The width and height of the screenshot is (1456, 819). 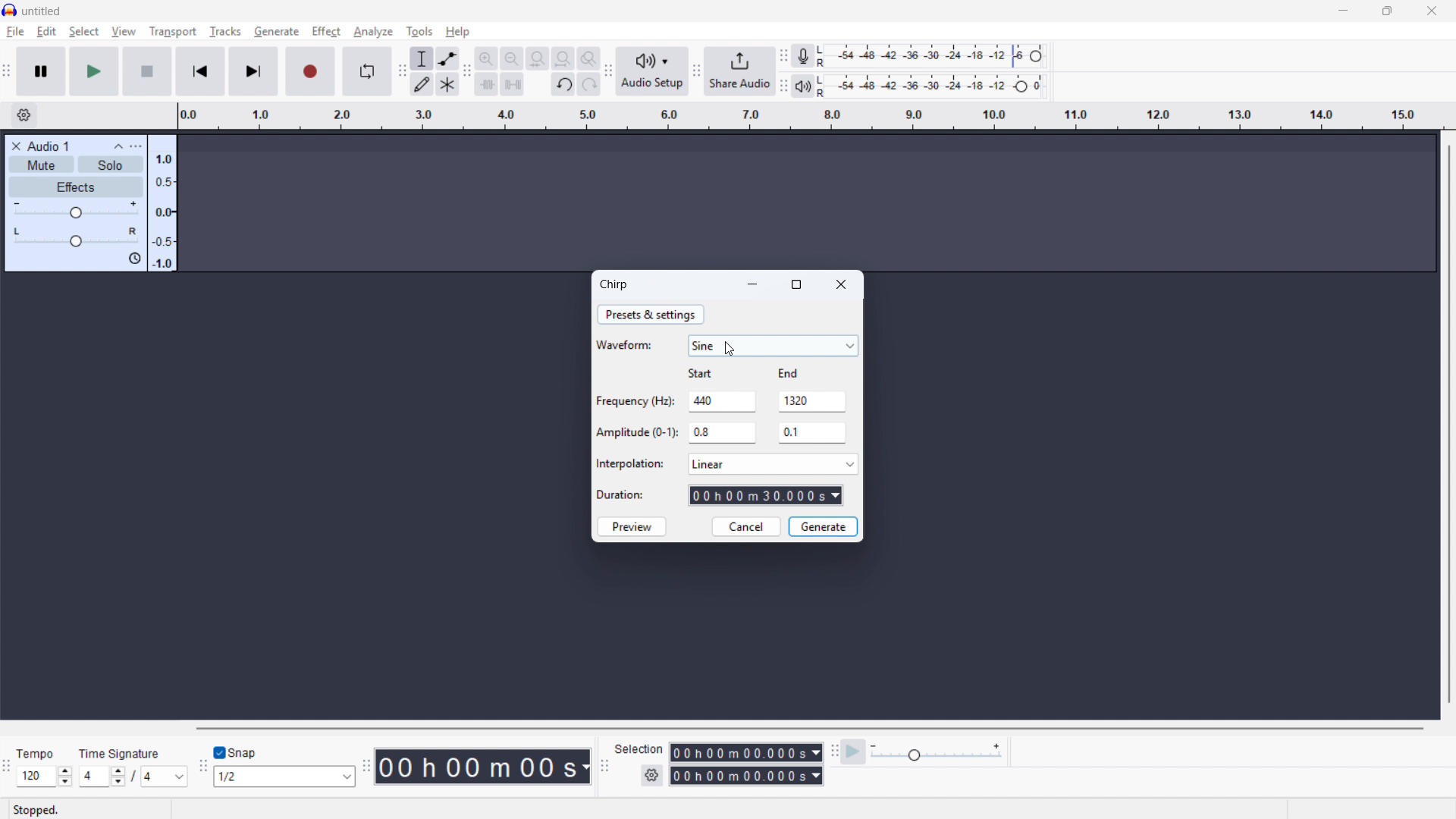 What do you see at coordinates (654, 71) in the screenshot?
I see `Audio setup ` at bounding box center [654, 71].